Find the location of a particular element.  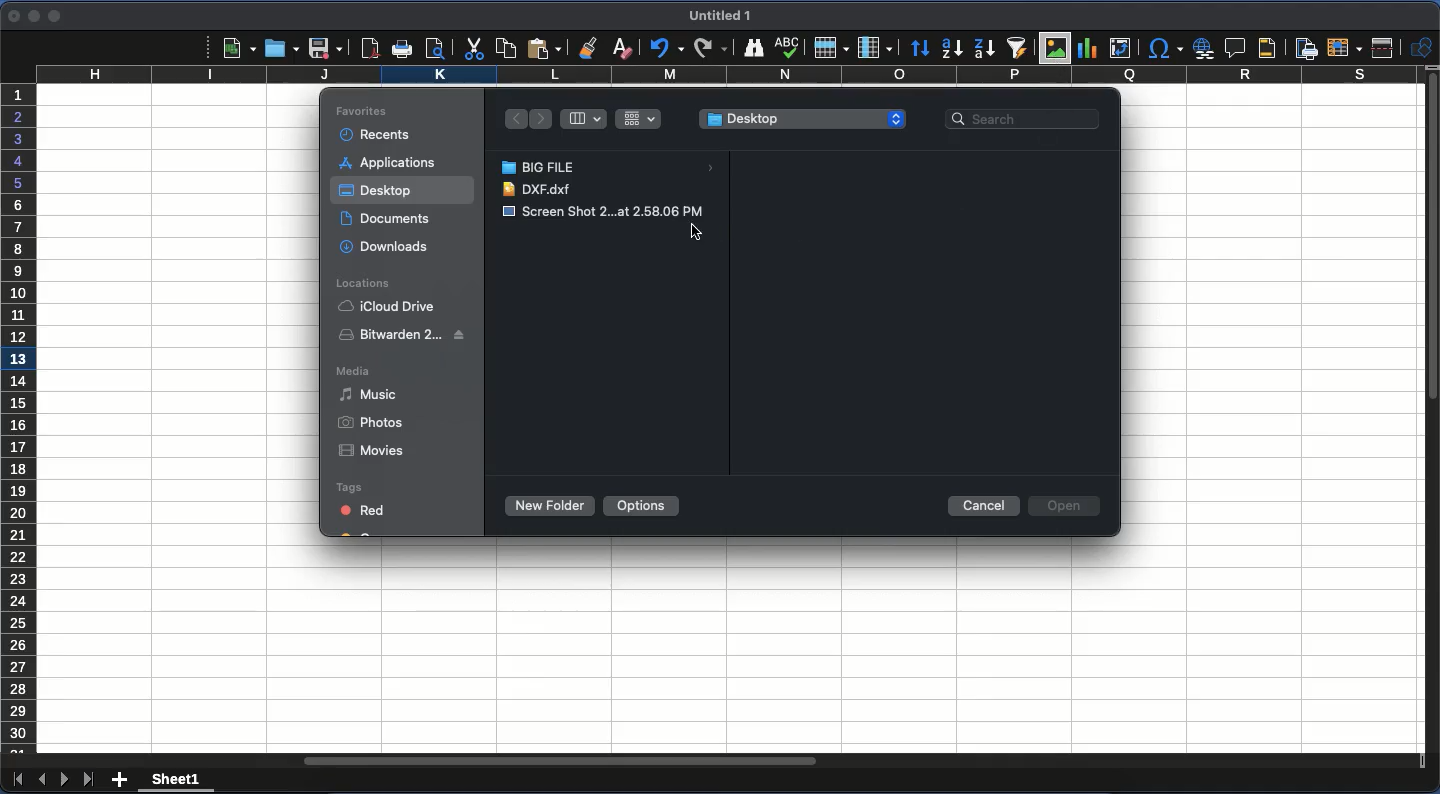

cut is located at coordinates (472, 50).